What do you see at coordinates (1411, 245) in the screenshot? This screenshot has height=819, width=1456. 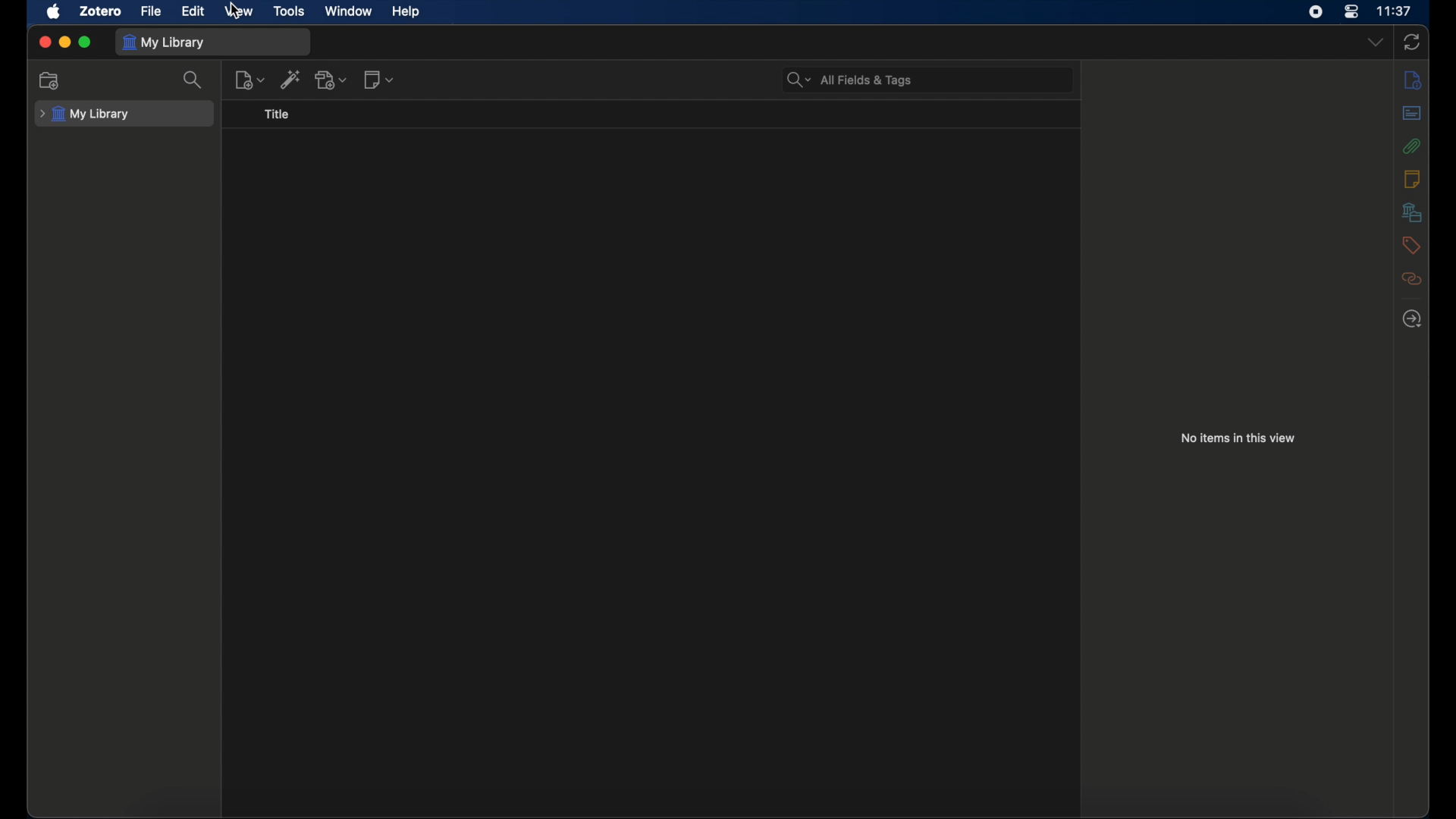 I see `tags` at bounding box center [1411, 245].